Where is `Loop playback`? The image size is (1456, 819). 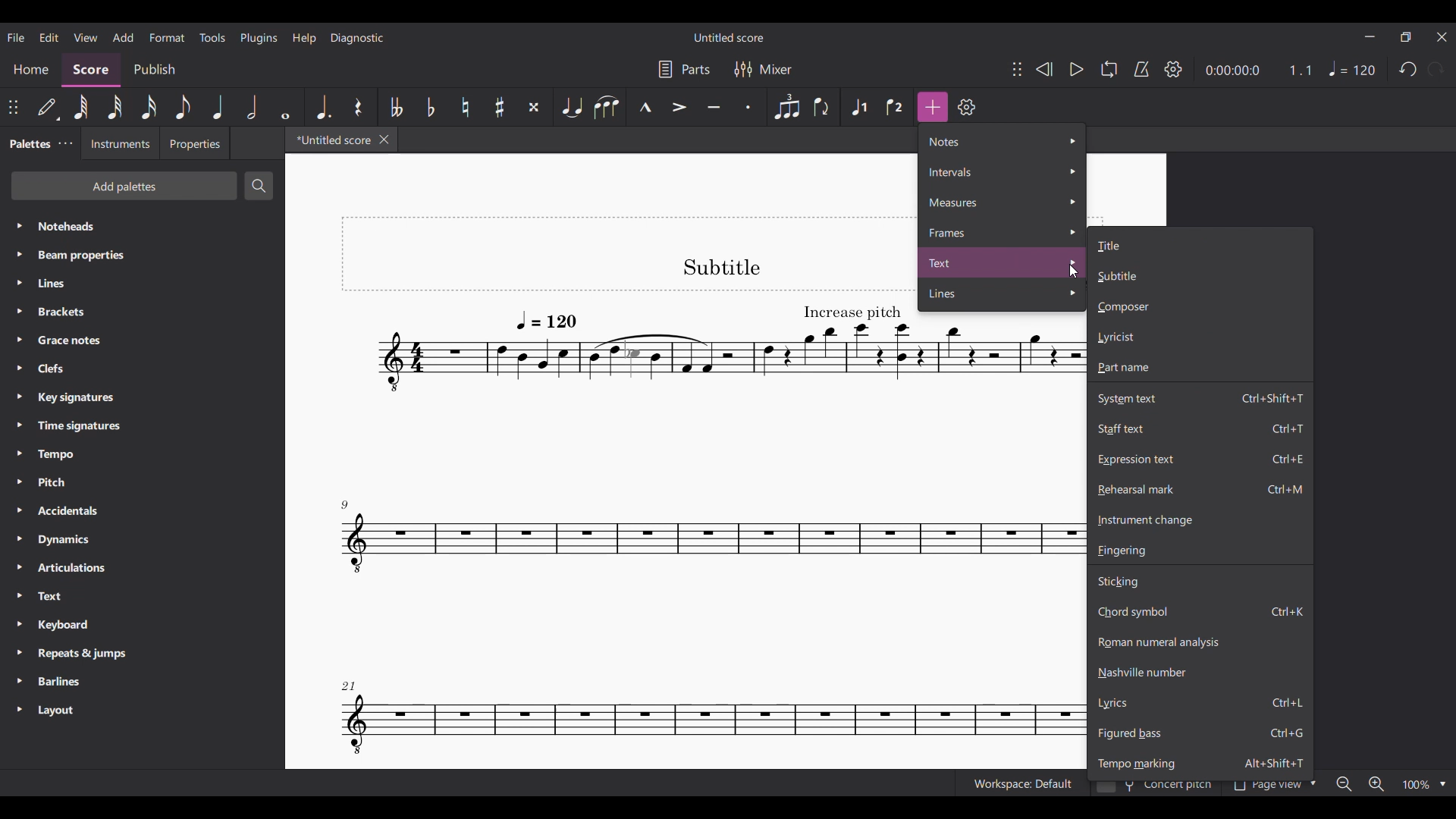
Loop playback is located at coordinates (1109, 69).